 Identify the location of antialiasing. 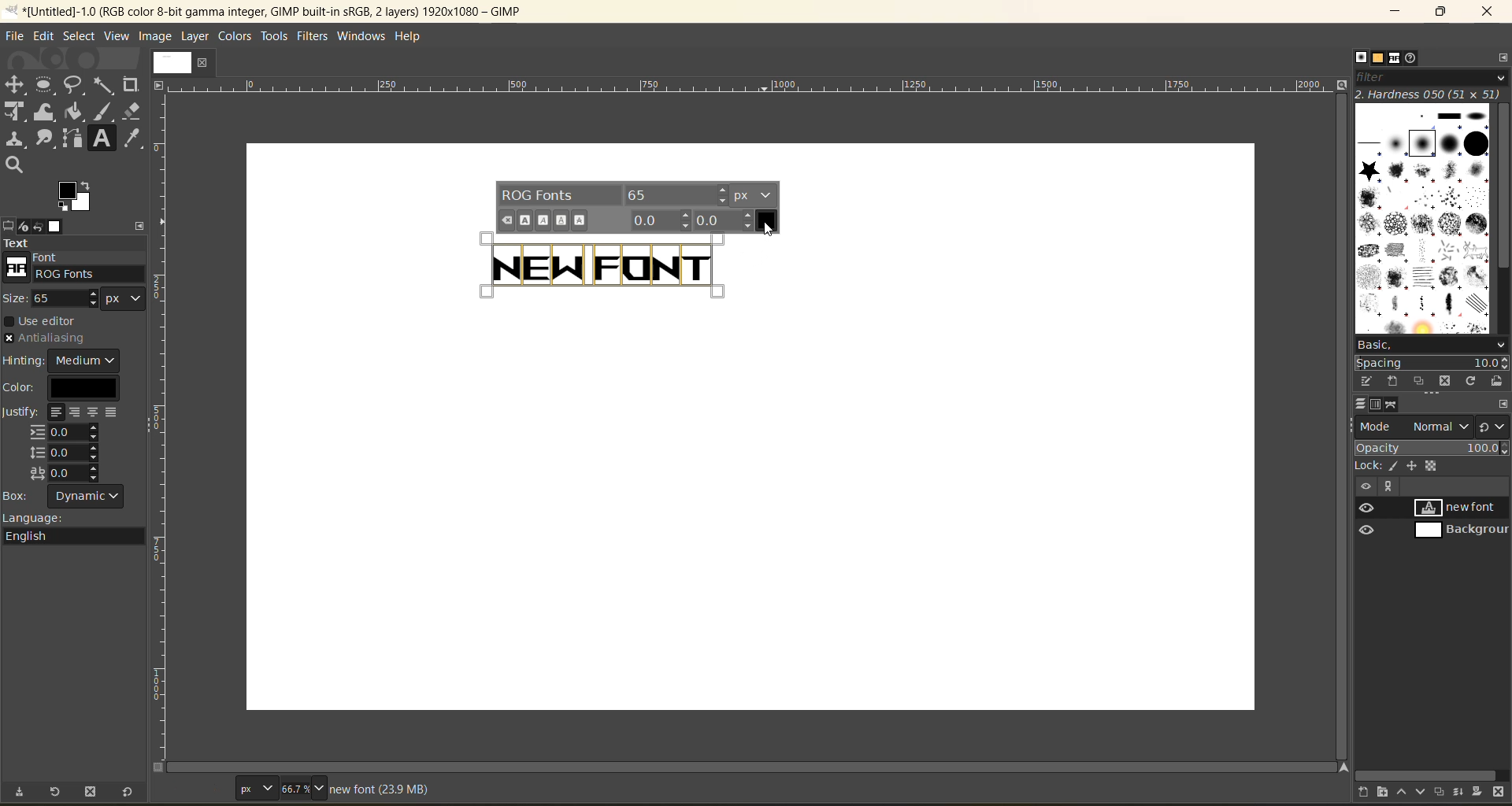
(46, 339).